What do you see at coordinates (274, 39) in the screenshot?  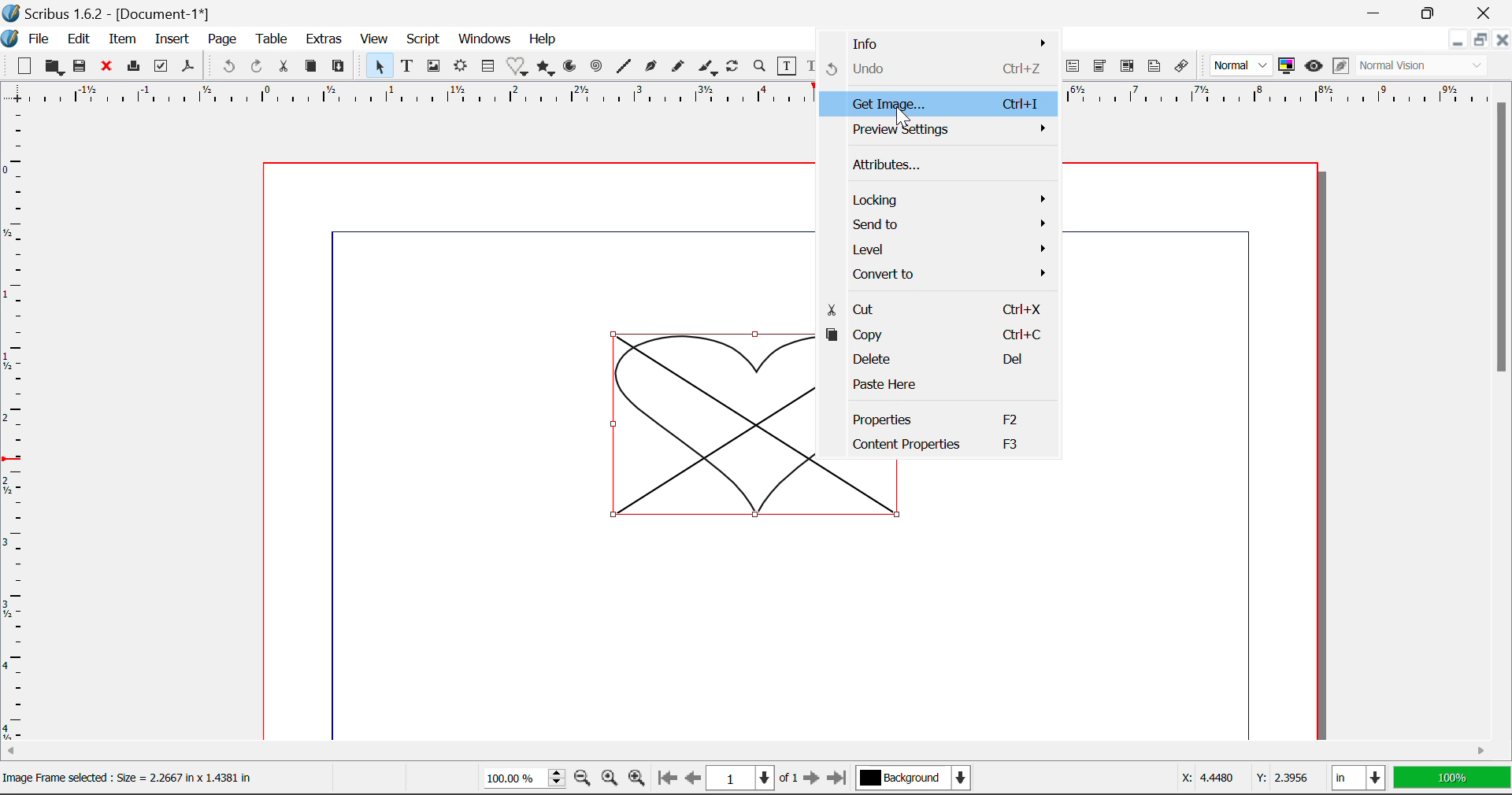 I see `Table` at bounding box center [274, 39].